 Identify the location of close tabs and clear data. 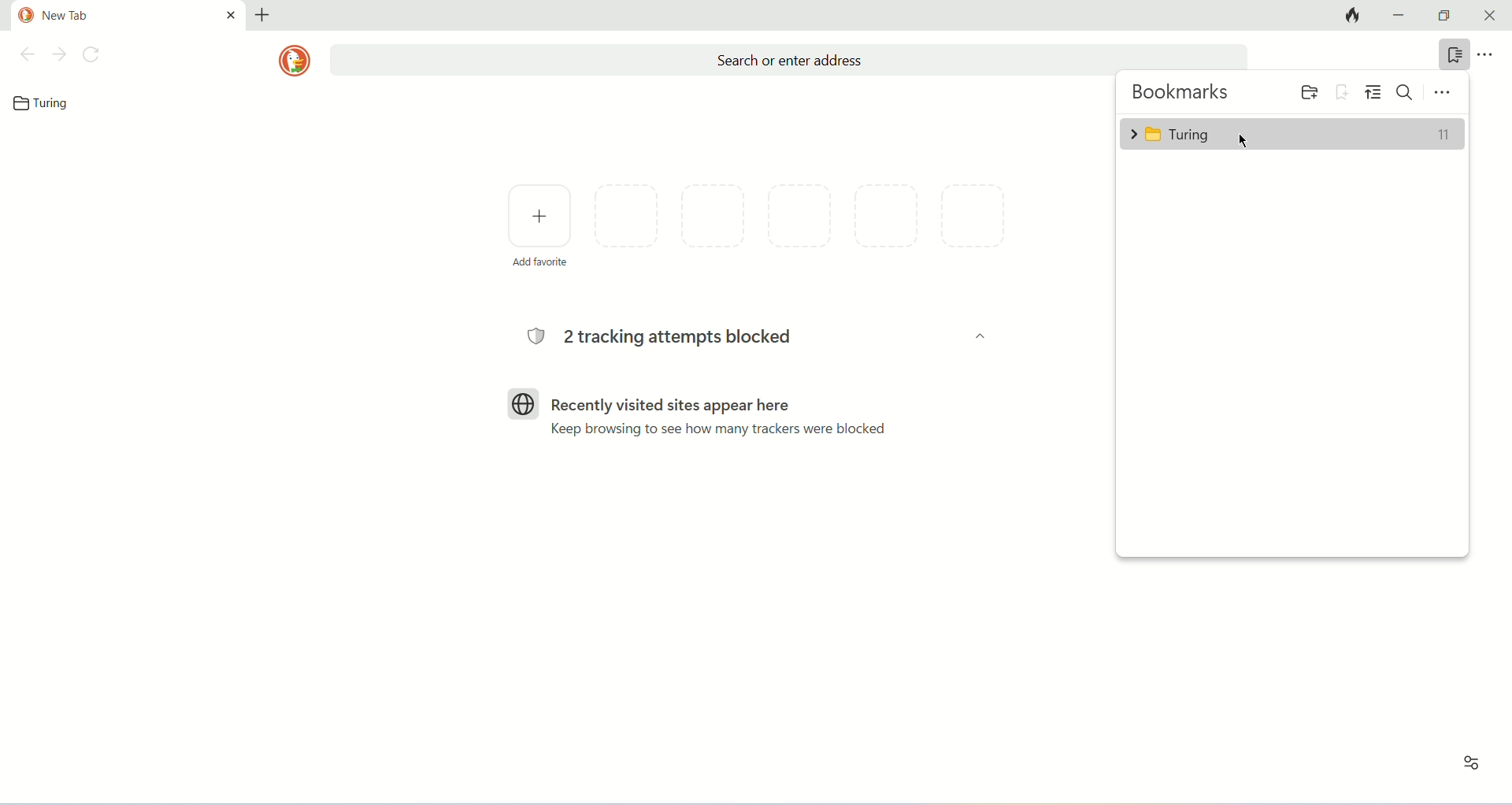
(1348, 16).